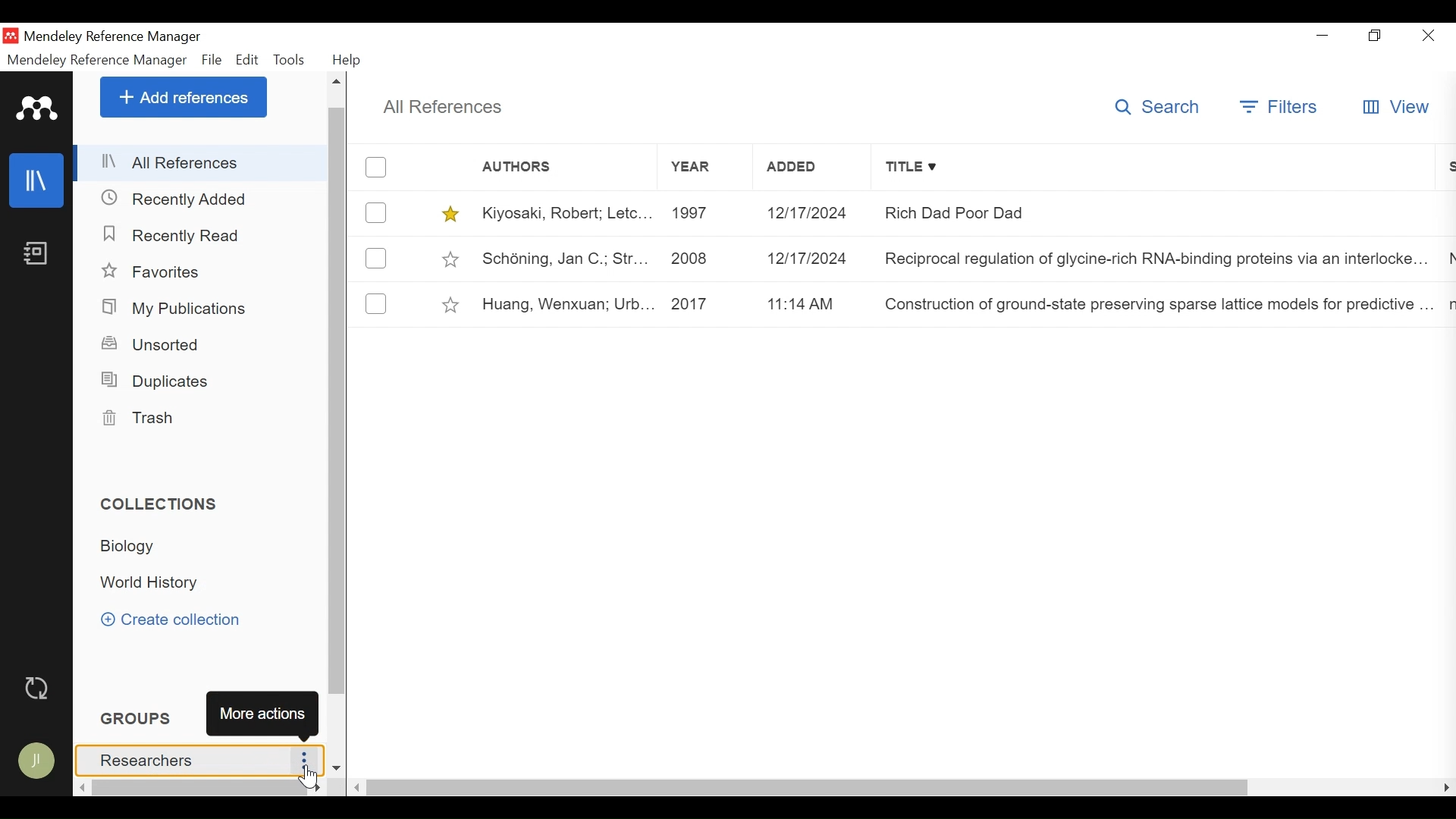  Describe the element at coordinates (37, 255) in the screenshot. I see `Notebook` at that location.